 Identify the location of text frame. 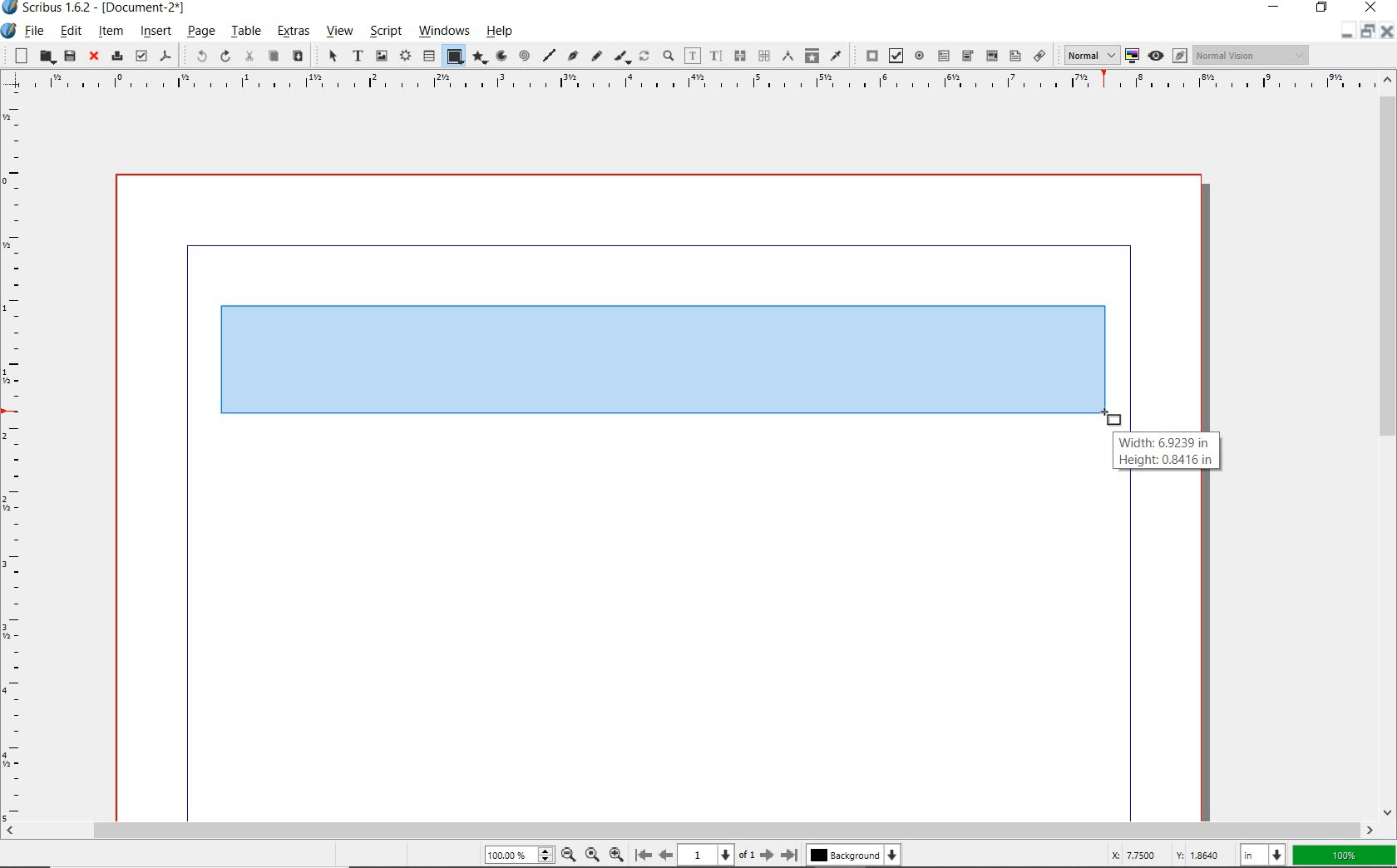
(358, 56).